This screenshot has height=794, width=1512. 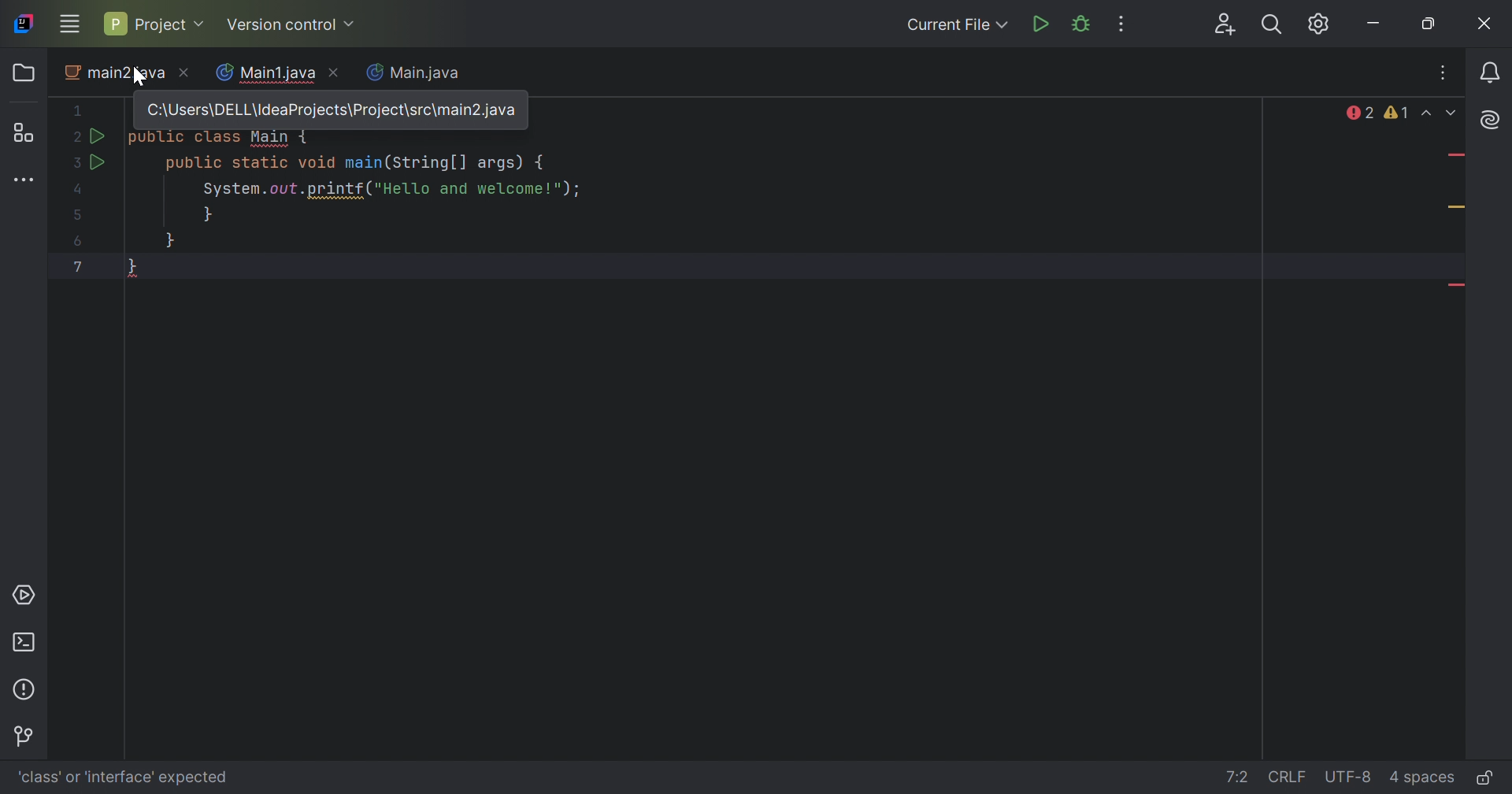 What do you see at coordinates (79, 243) in the screenshot?
I see `6` at bounding box center [79, 243].